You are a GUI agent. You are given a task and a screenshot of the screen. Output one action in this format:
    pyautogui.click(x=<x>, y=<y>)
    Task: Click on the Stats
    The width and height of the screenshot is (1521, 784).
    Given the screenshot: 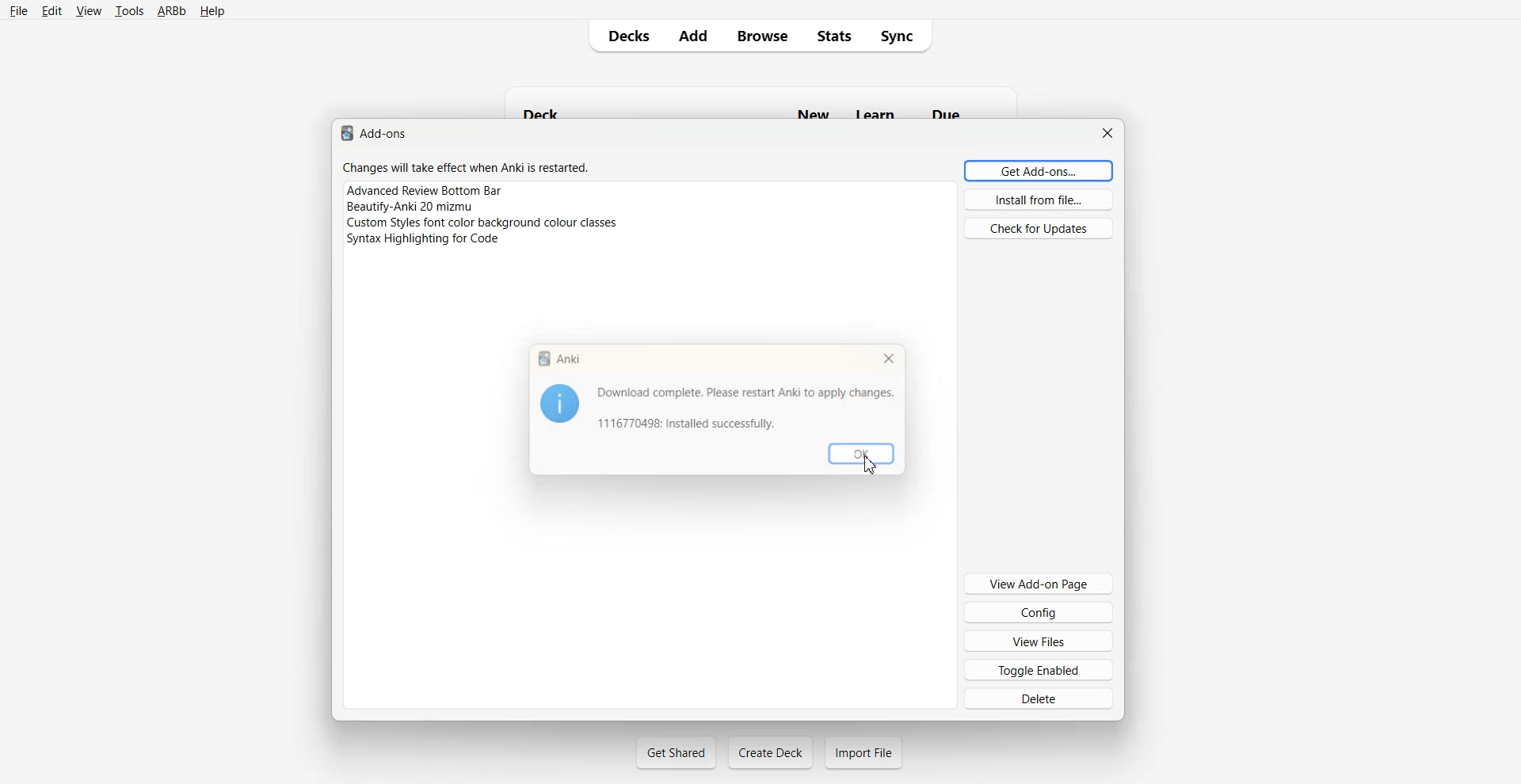 What is the action you would take?
    pyautogui.click(x=833, y=36)
    